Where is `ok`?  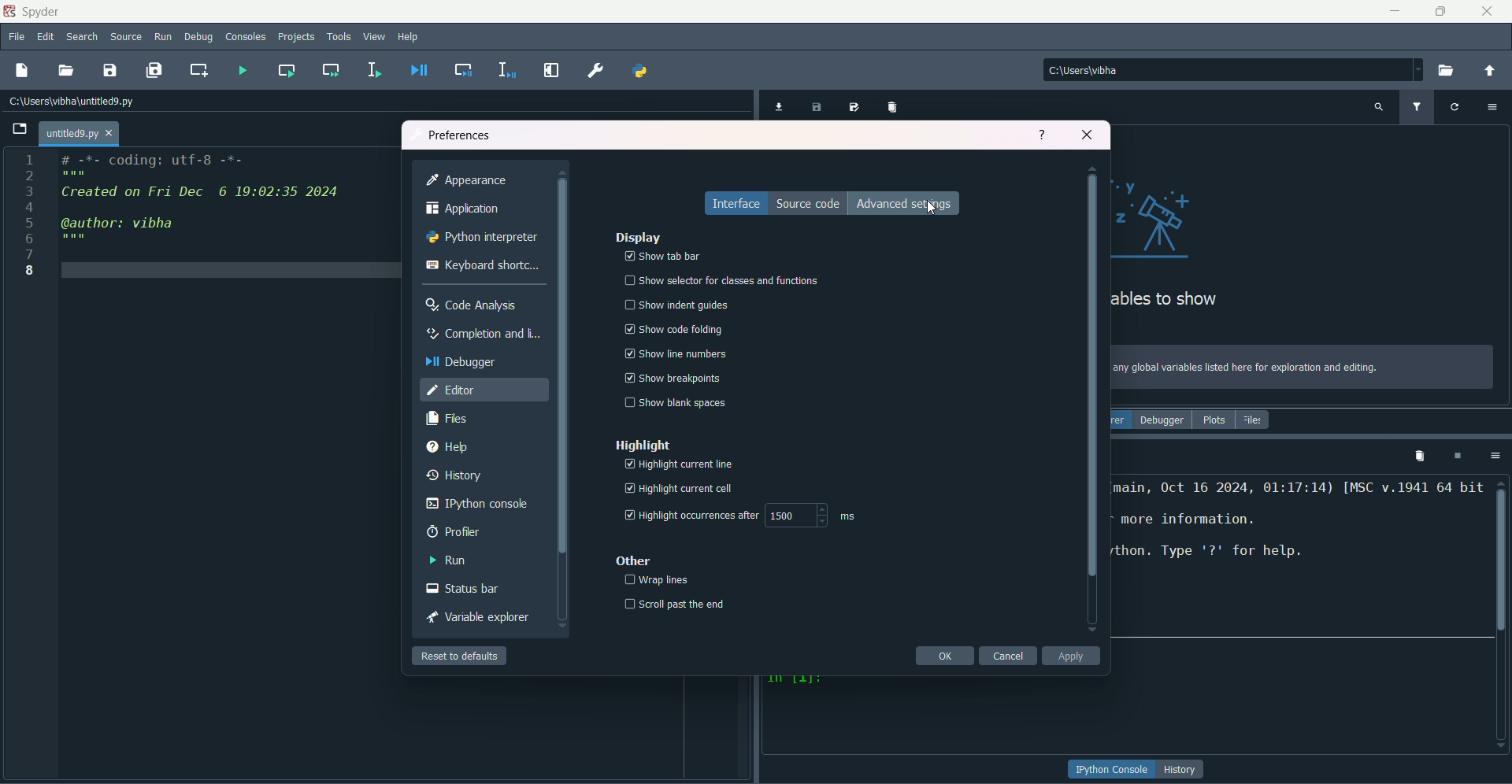
ok is located at coordinates (947, 658).